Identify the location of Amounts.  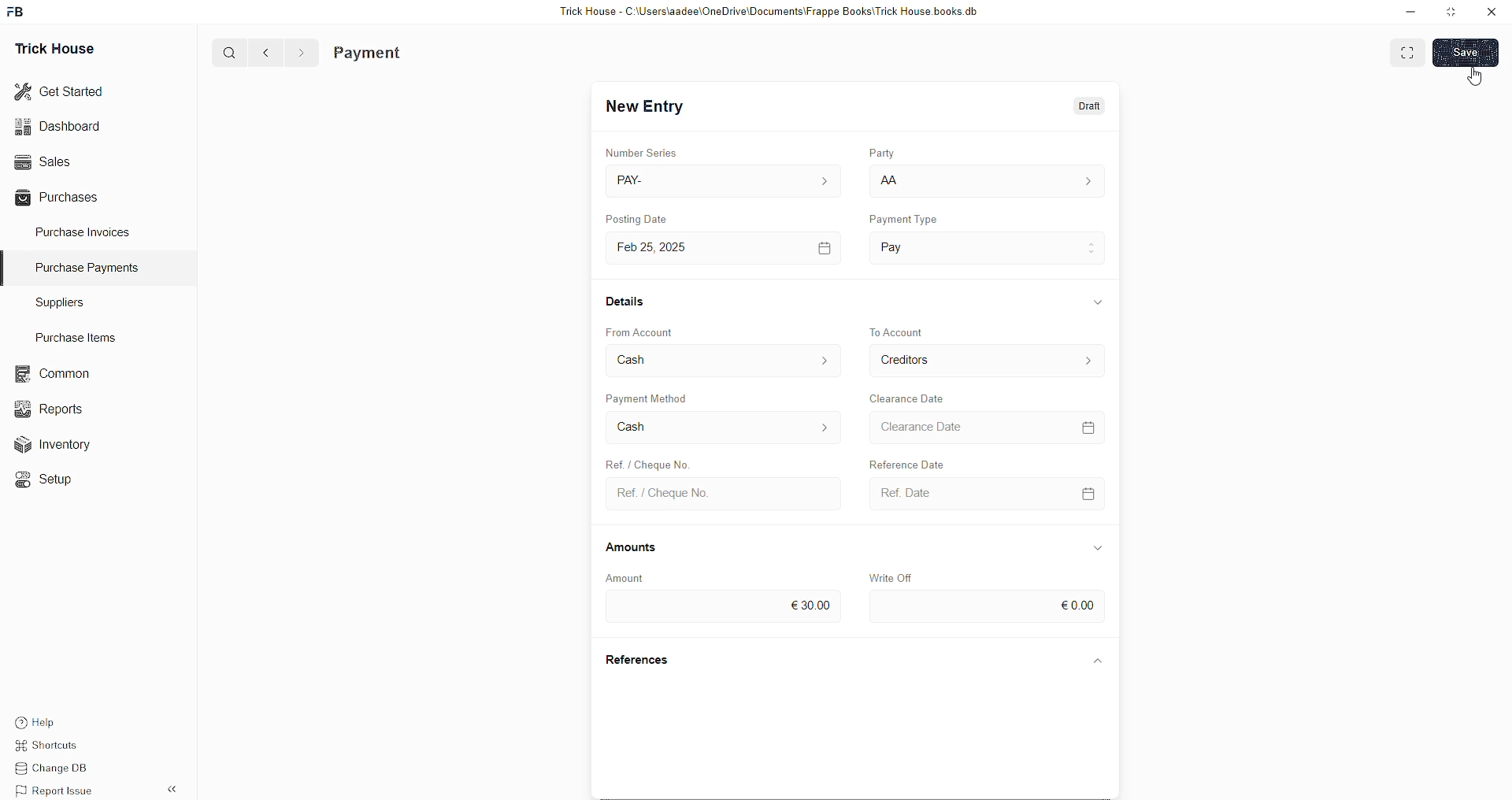
(641, 548).